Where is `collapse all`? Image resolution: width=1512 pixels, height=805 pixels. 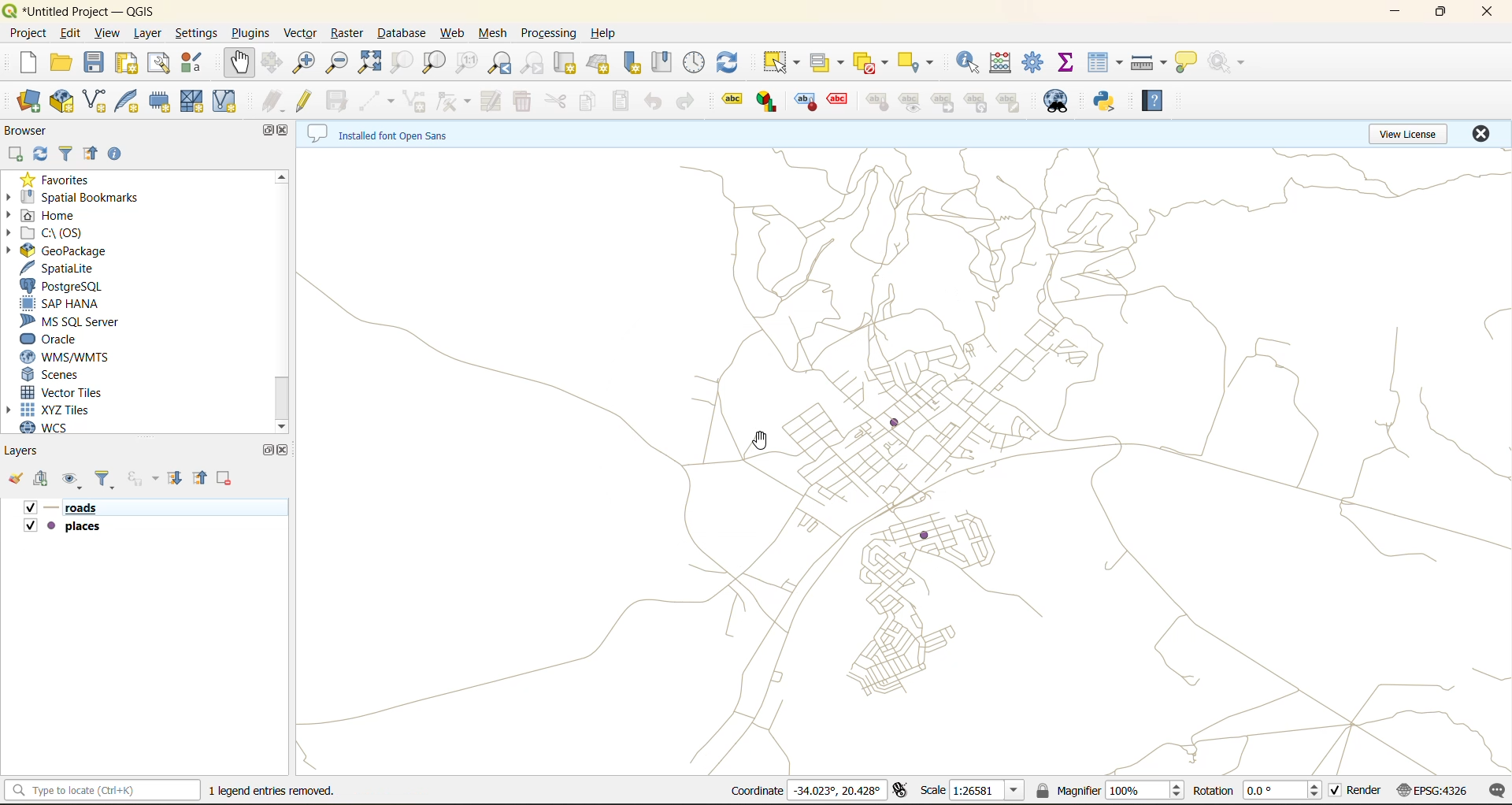 collapse all is located at coordinates (199, 479).